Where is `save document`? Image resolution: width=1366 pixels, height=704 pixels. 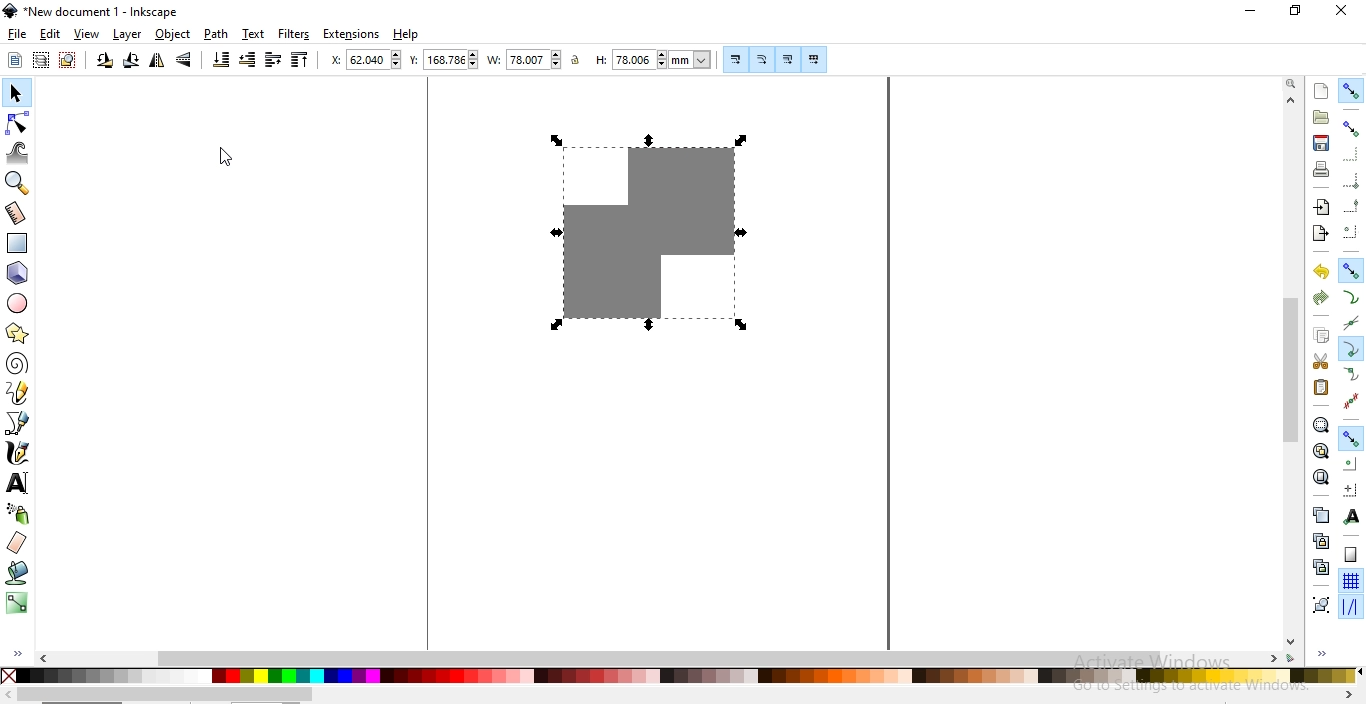
save document is located at coordinates (1319, 143).